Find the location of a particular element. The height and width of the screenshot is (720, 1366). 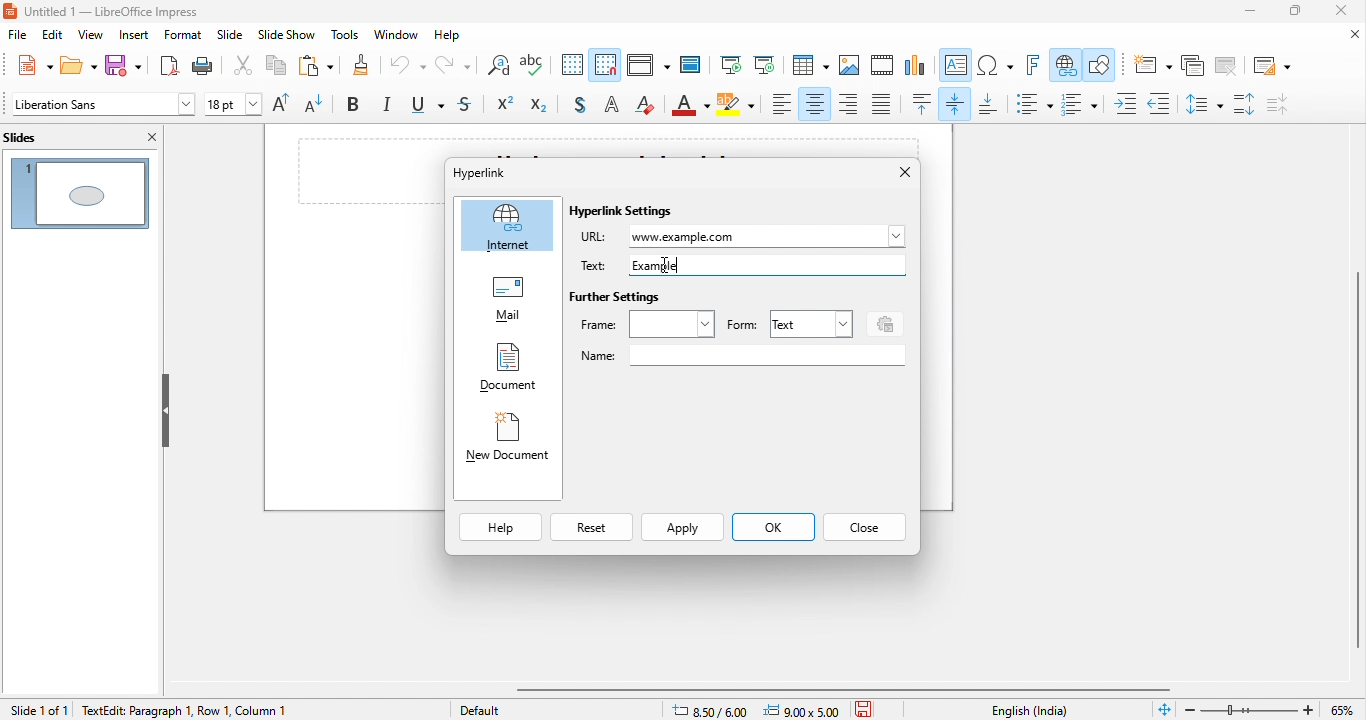

increase font size is located at coordinates (285, 105).